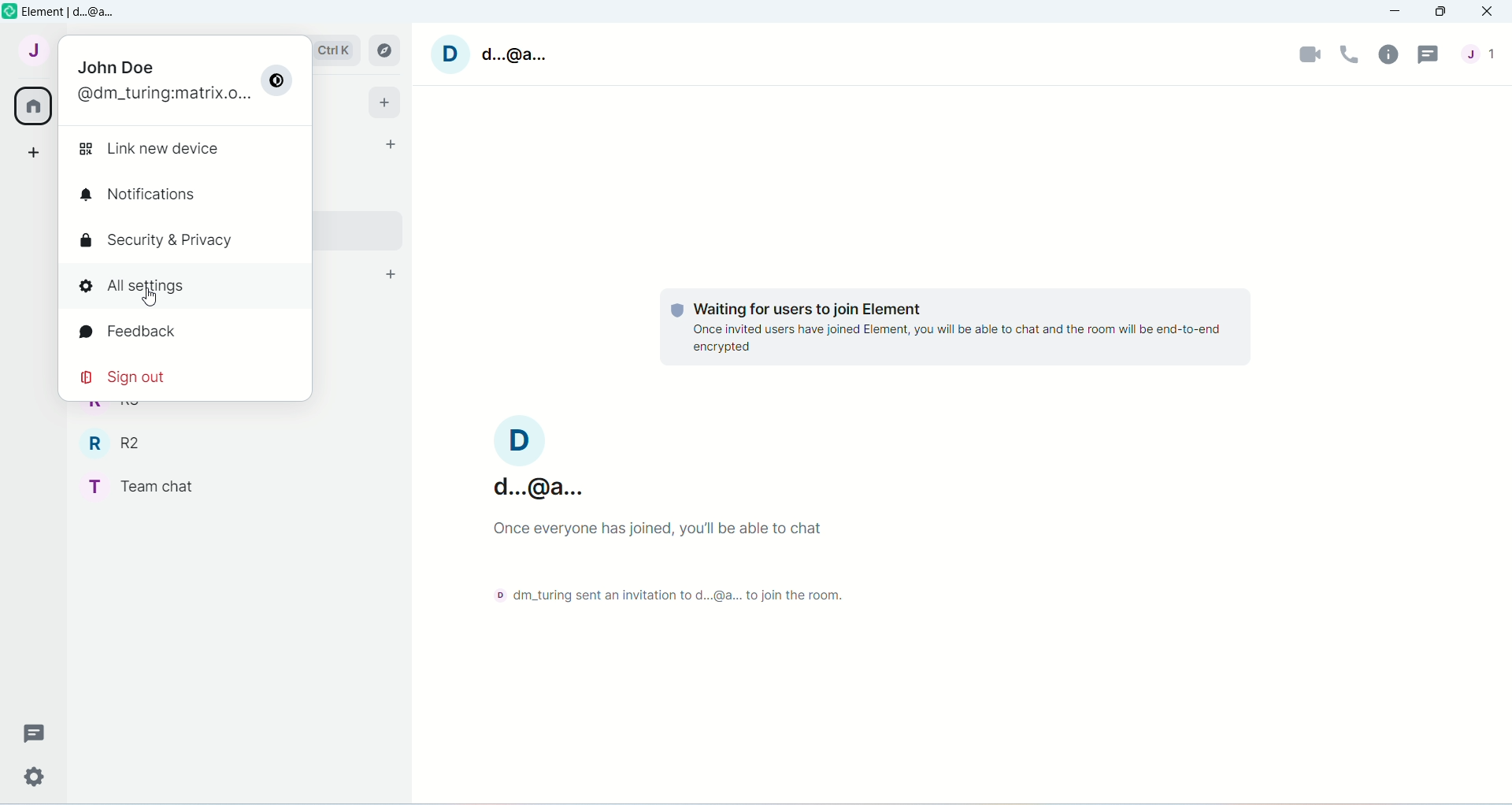  What do you see at coordinates (385, 51) in the screenshot?
I see `Explore rooms` at bounding box center [385, 51].